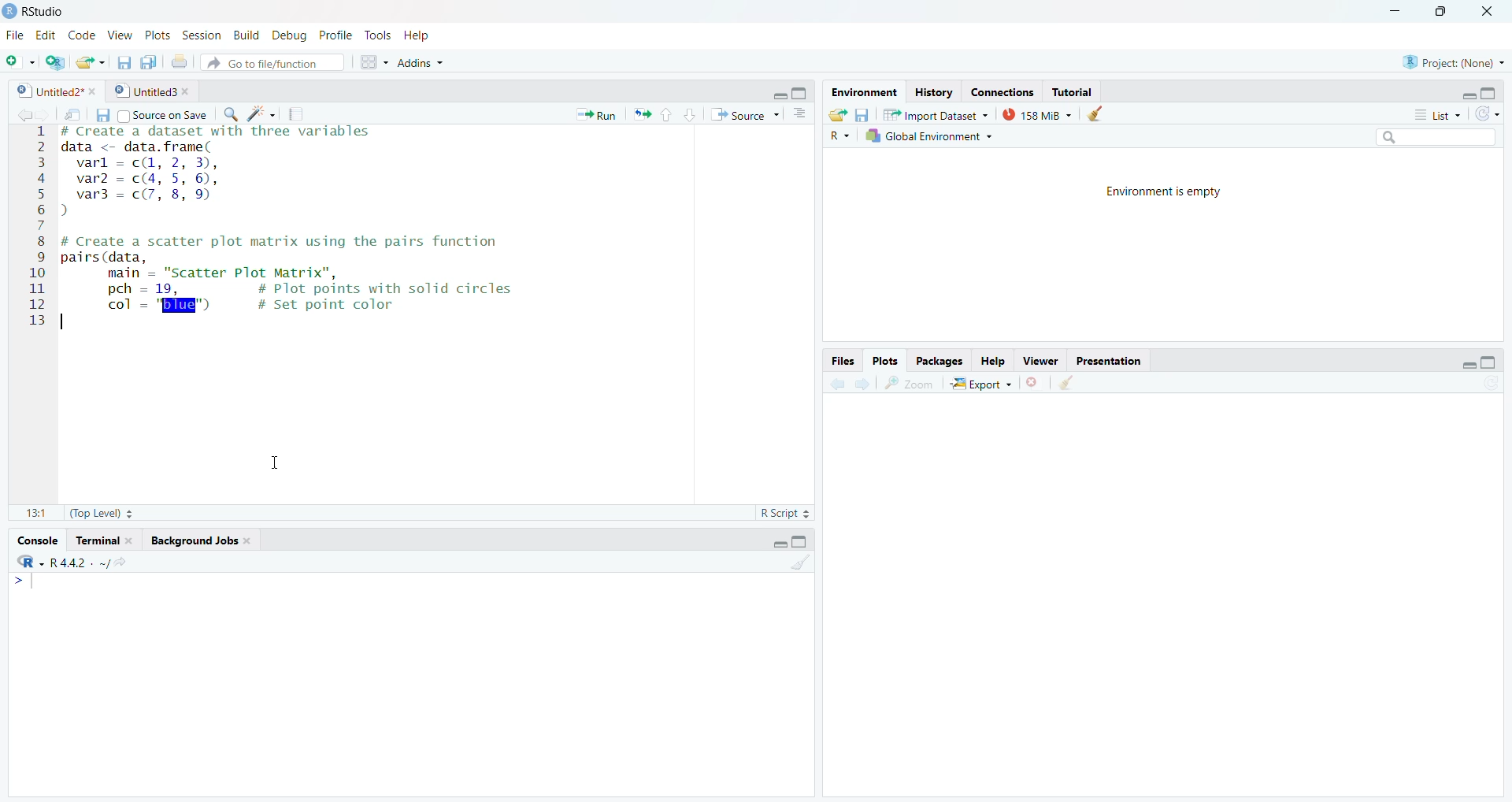 This screenshot has height=802, width=1512. Describe the element at coordinates (863, 91) in the screenshot. I see `Environment` at that location.